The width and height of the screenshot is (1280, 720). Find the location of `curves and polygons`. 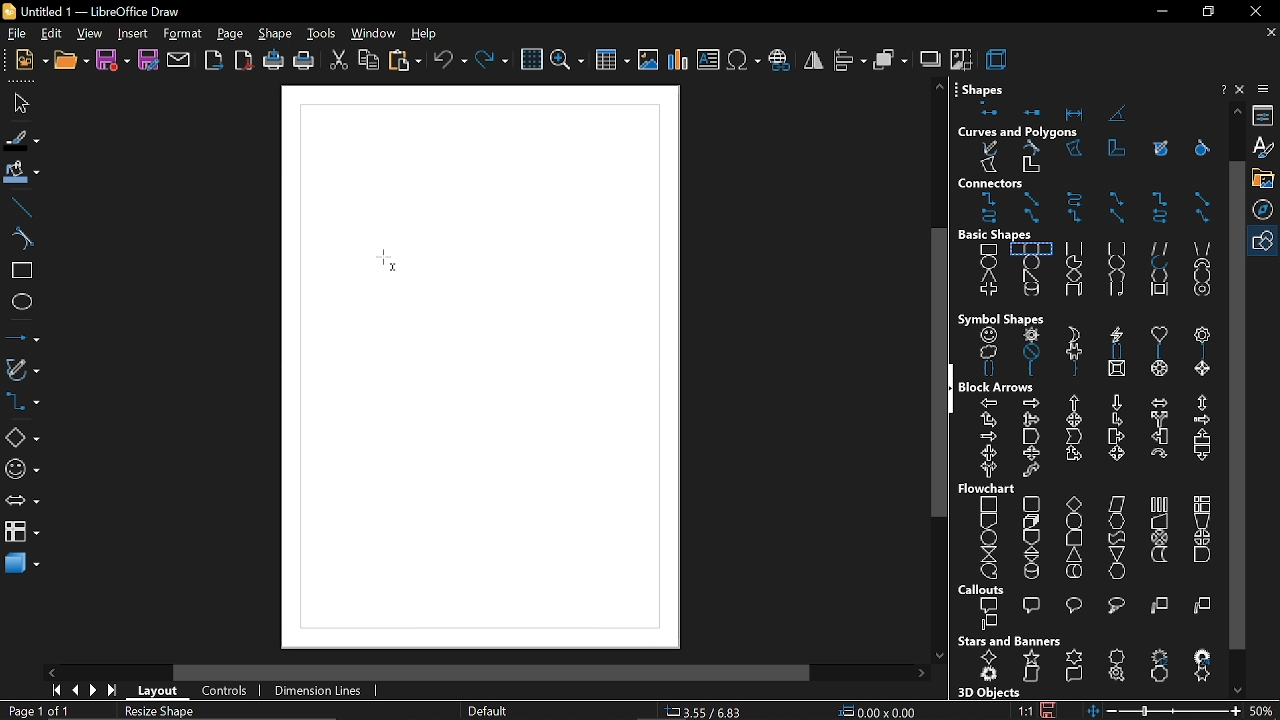

curves and polygons is located at coordinates (1019, 133).